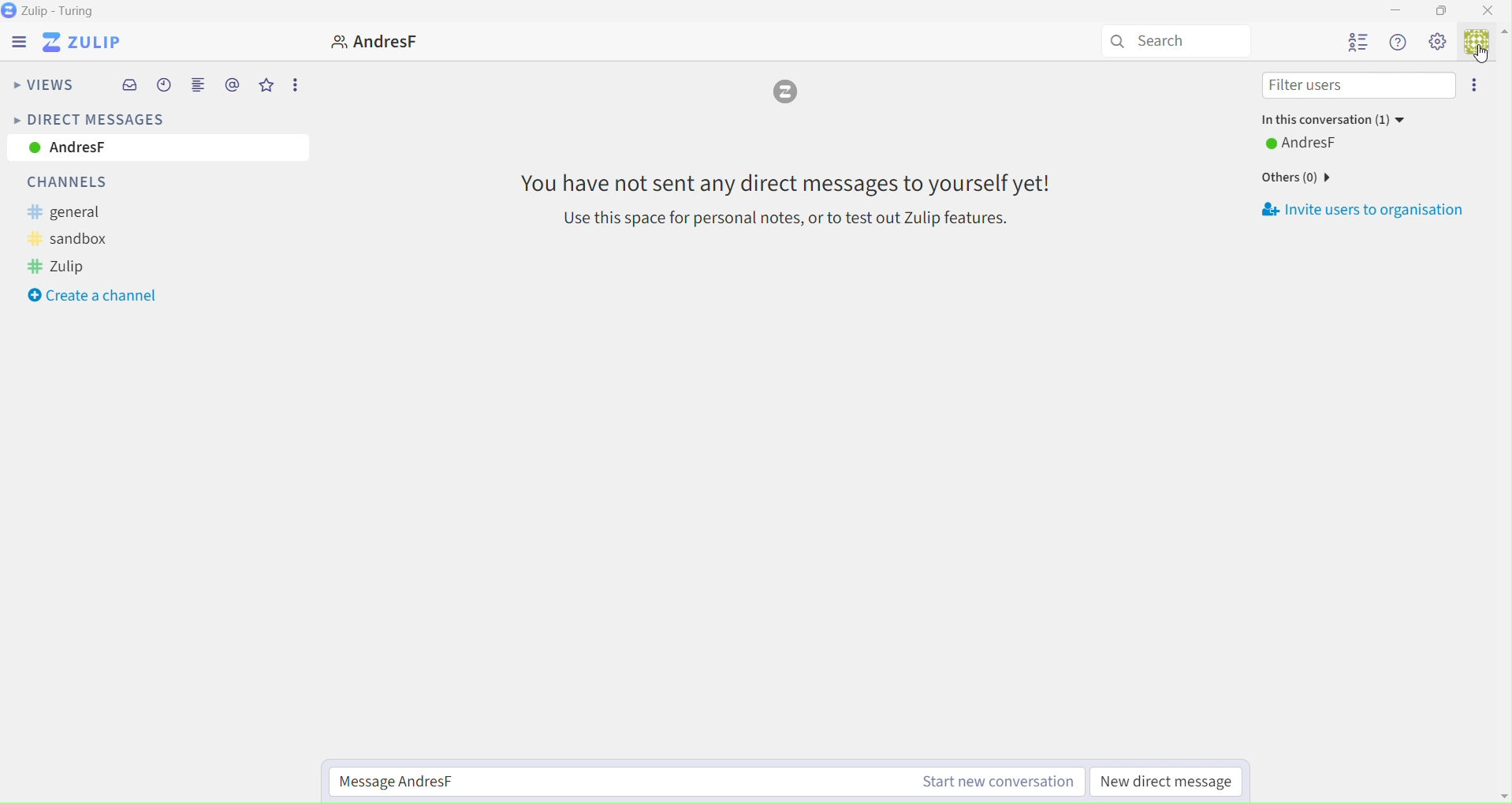  Describe the element at coordinates (1439, 43) in the screenshot. I see `Settings` at that location.